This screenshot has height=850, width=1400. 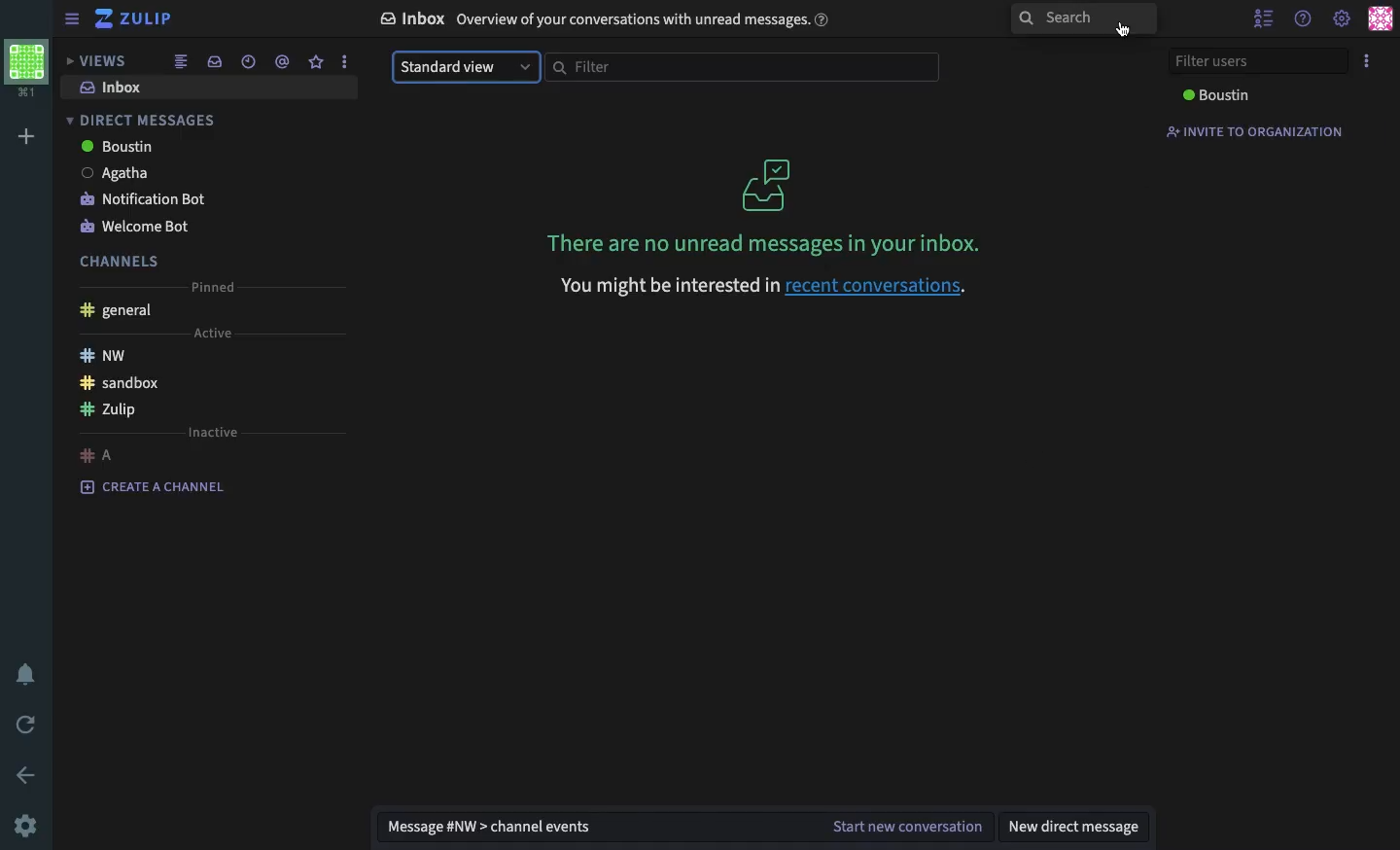 What do you see at coordinates (209, 334) in the screenshot?
I see `active` at bounding box center [209, 334].